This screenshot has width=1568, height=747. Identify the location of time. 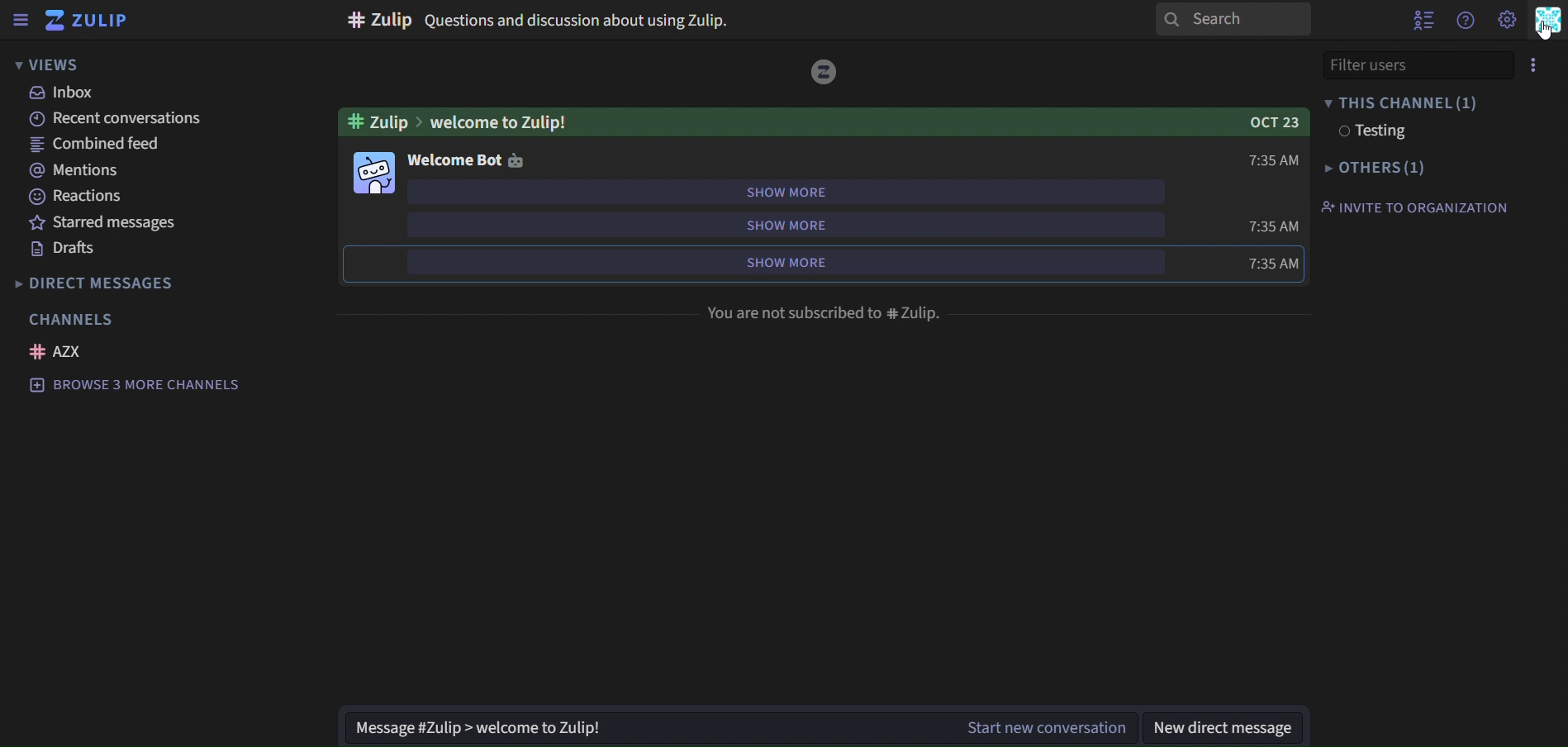
(1276, 266).